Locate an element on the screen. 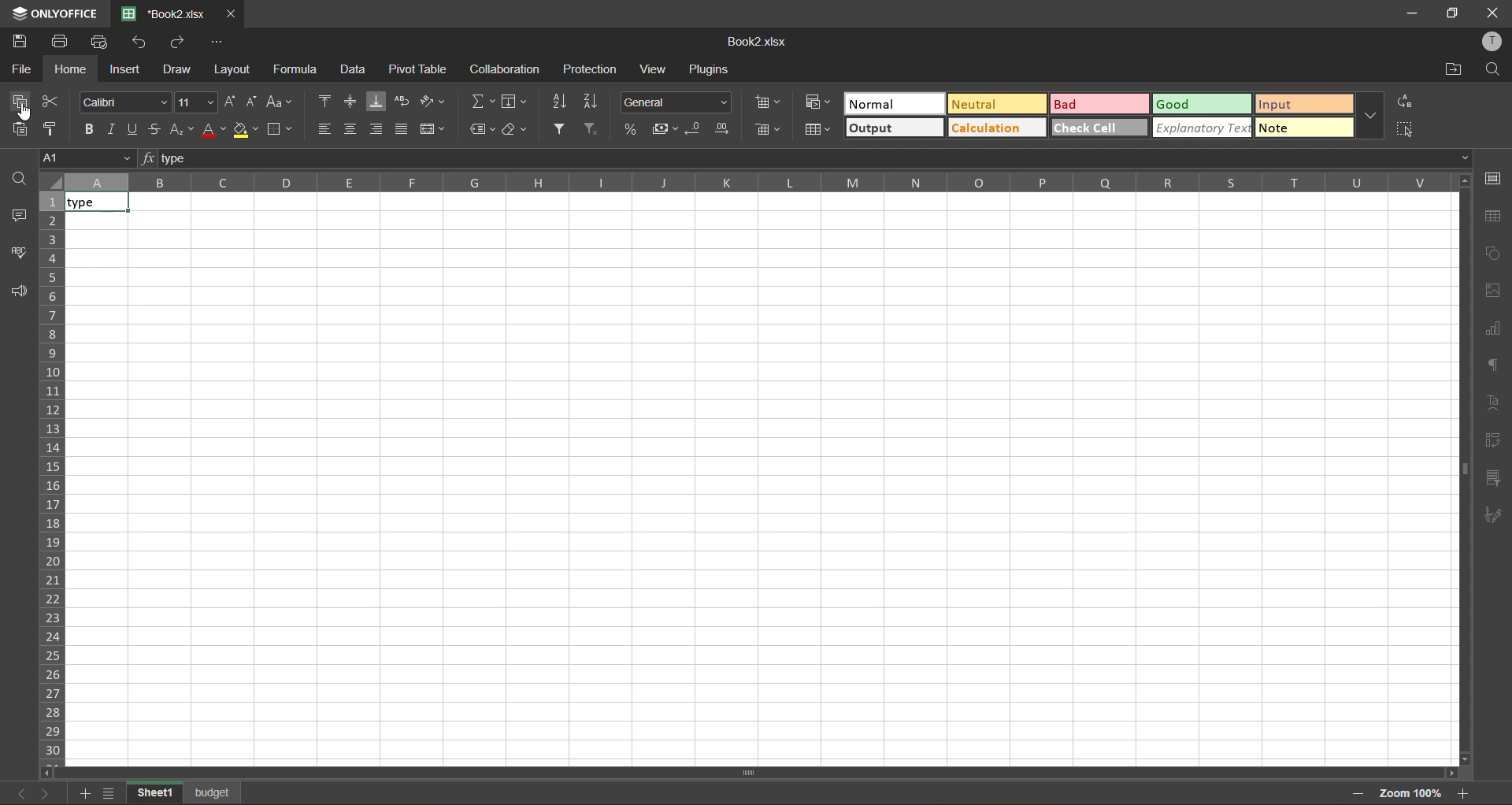 The width and height of the screenshot is (1512, 805). align middle is located at coordinates (346, 98).